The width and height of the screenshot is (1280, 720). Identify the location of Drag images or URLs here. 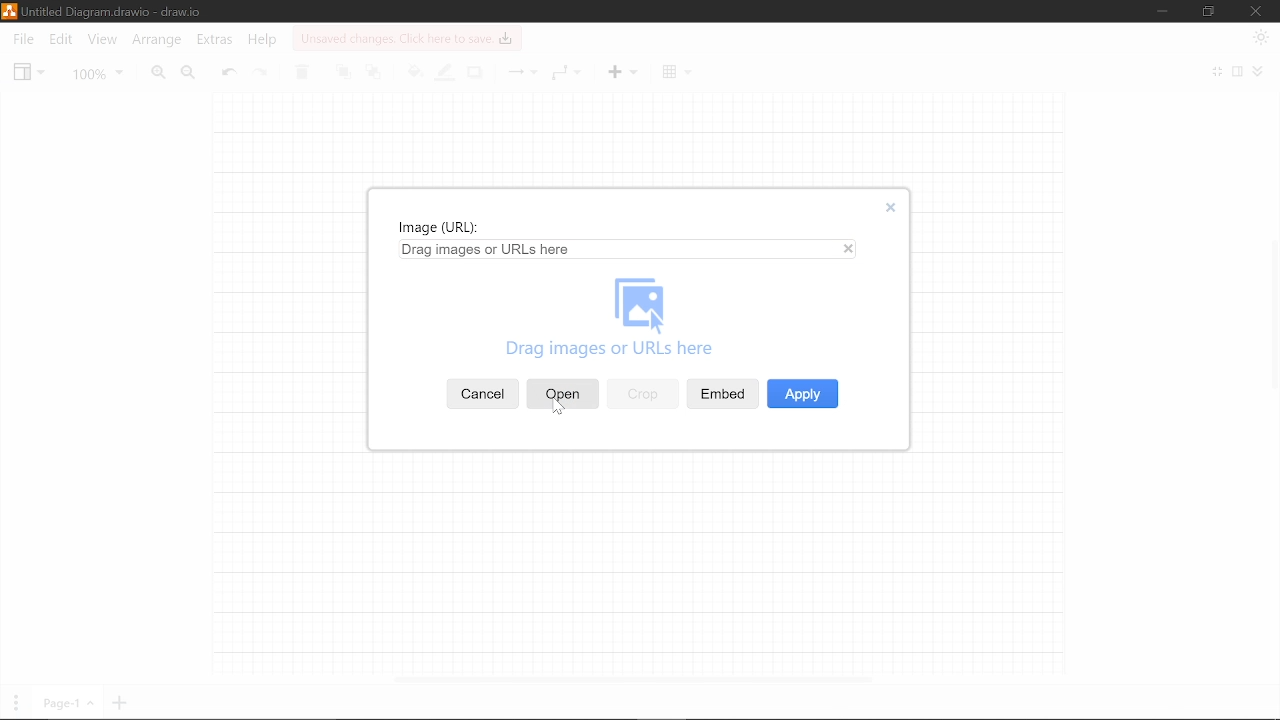
(488, 250).